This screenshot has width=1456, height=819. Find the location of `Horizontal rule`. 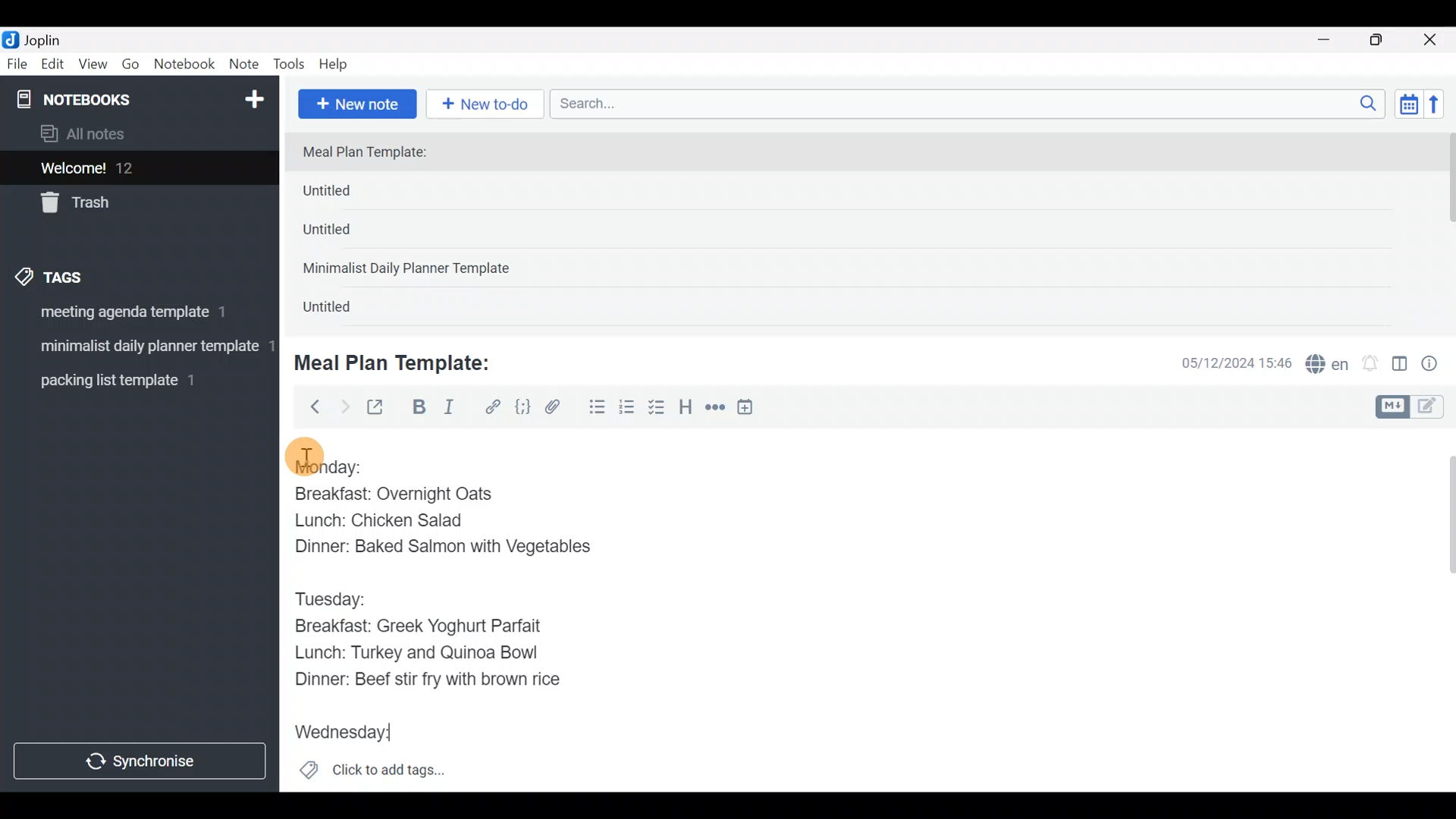

Horizontal rule is located at coordinates (715, 409).